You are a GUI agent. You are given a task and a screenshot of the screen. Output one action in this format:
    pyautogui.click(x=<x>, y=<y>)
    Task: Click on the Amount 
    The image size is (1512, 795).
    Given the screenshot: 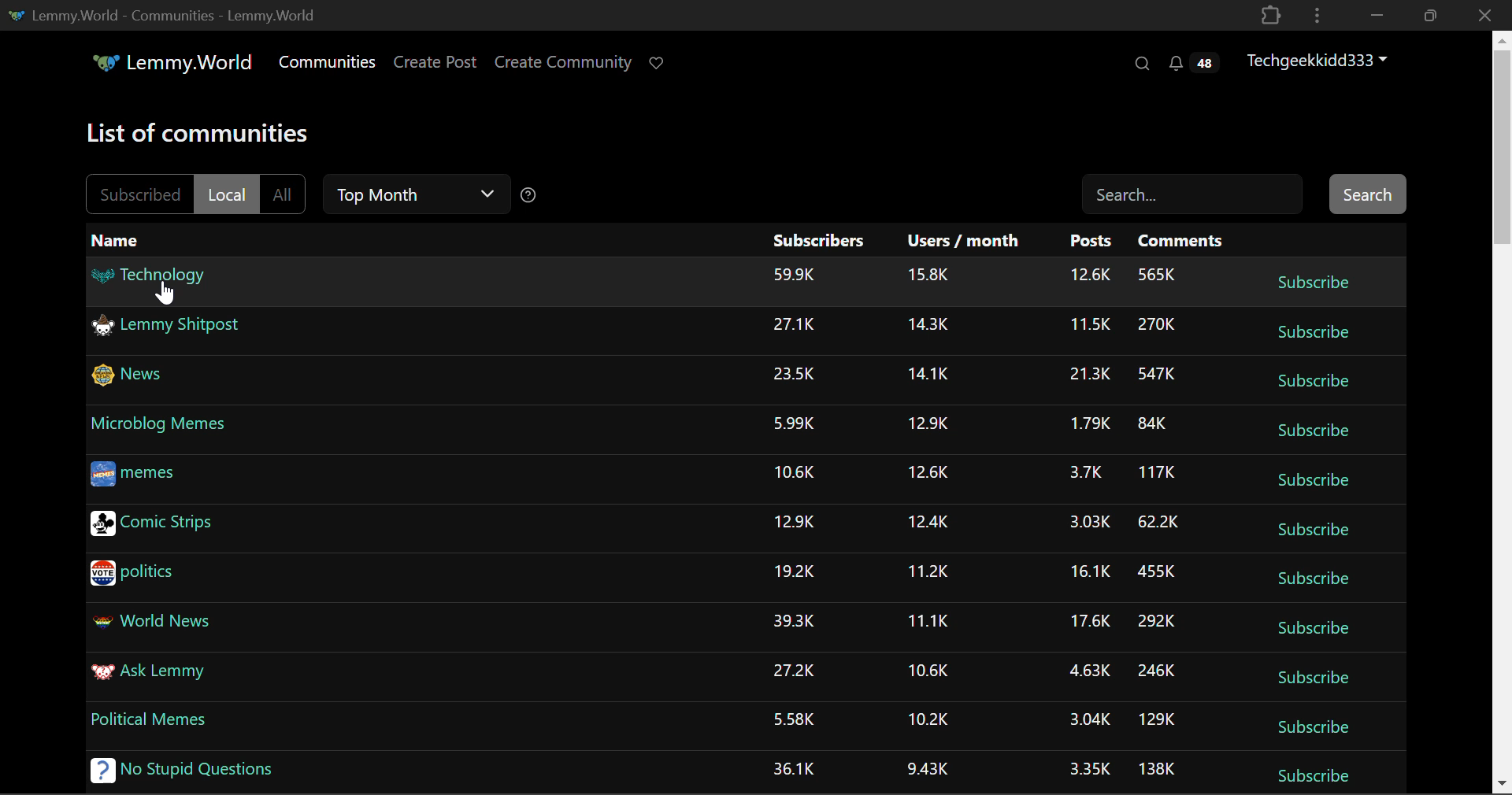 What is the action you would take?
    pyautogui.click(x=1080, y=472)
    